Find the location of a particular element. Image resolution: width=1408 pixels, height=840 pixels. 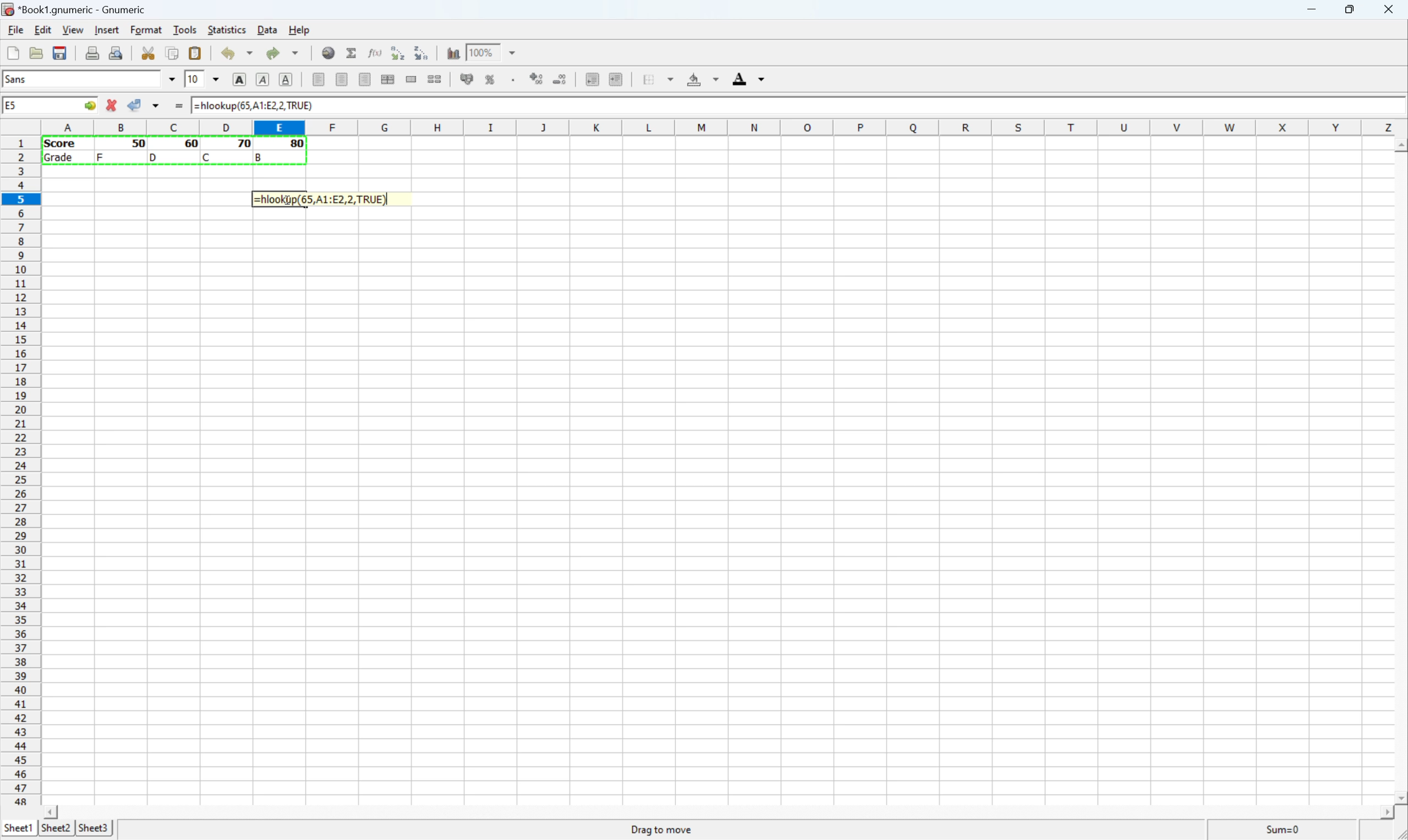

Help is located at coordinates (298, 31).